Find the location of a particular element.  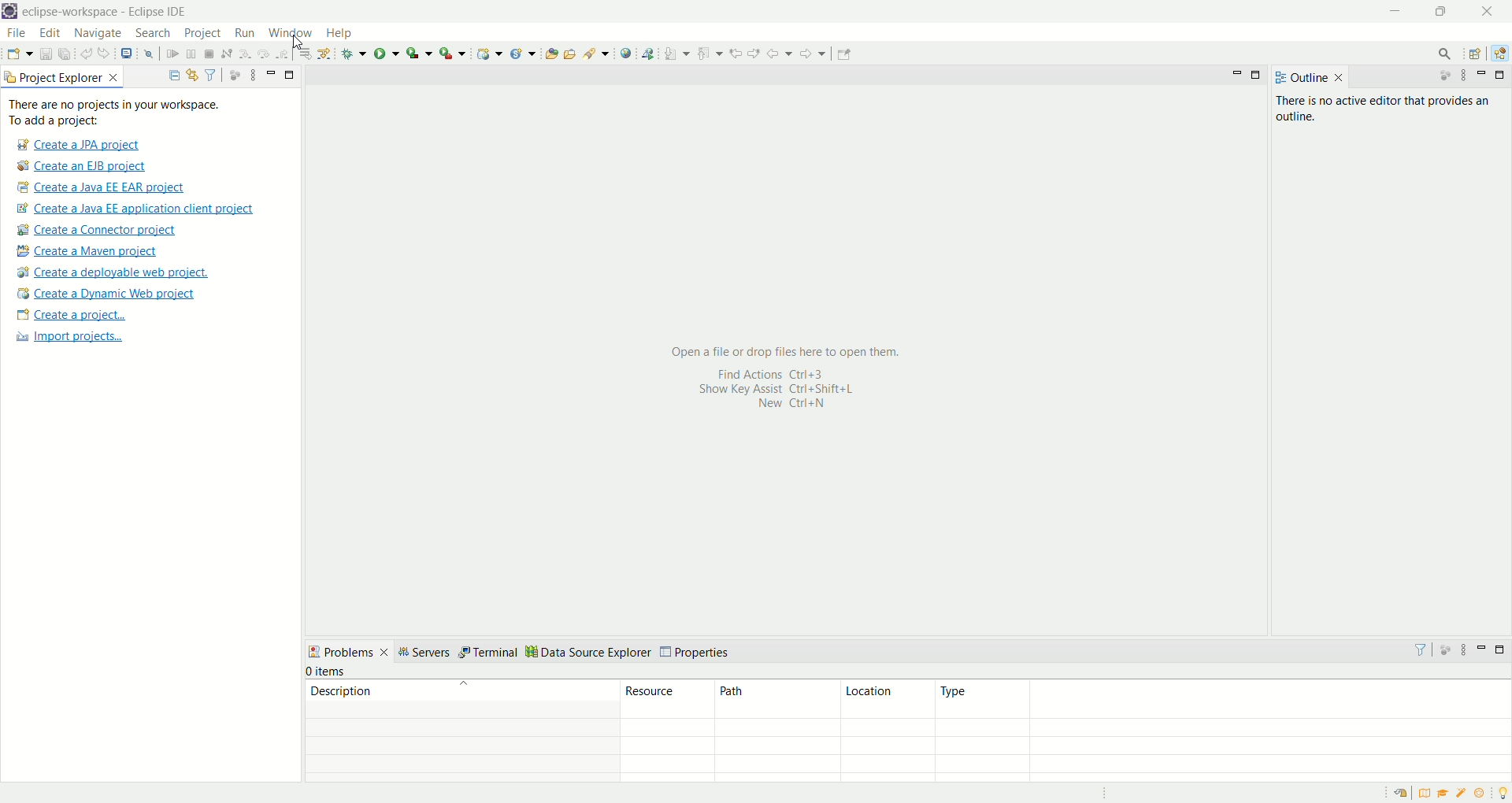

Pin editor is located at coordinates (842, 56).